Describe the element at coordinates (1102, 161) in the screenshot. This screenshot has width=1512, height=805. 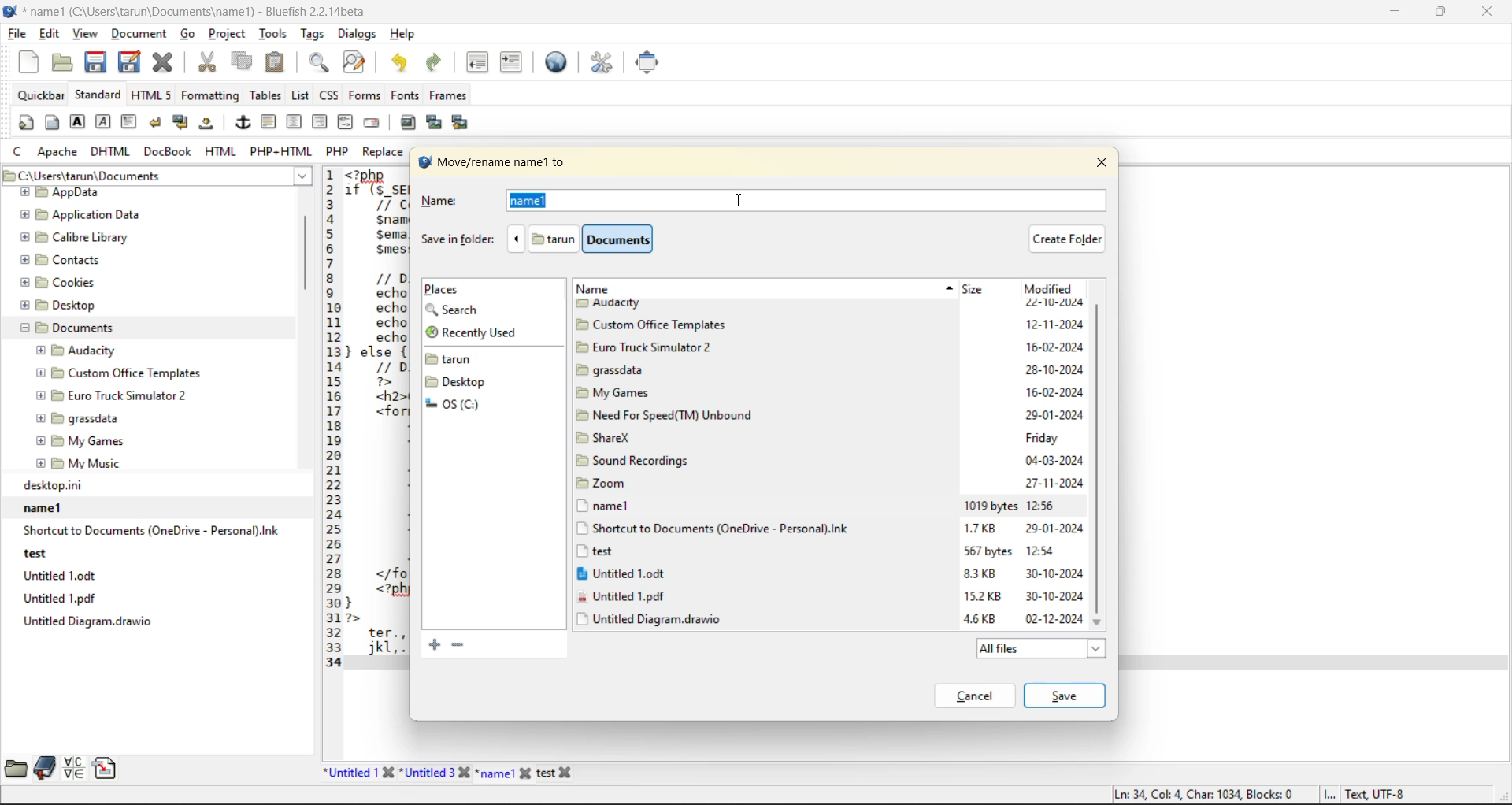
I see `close` at that location.